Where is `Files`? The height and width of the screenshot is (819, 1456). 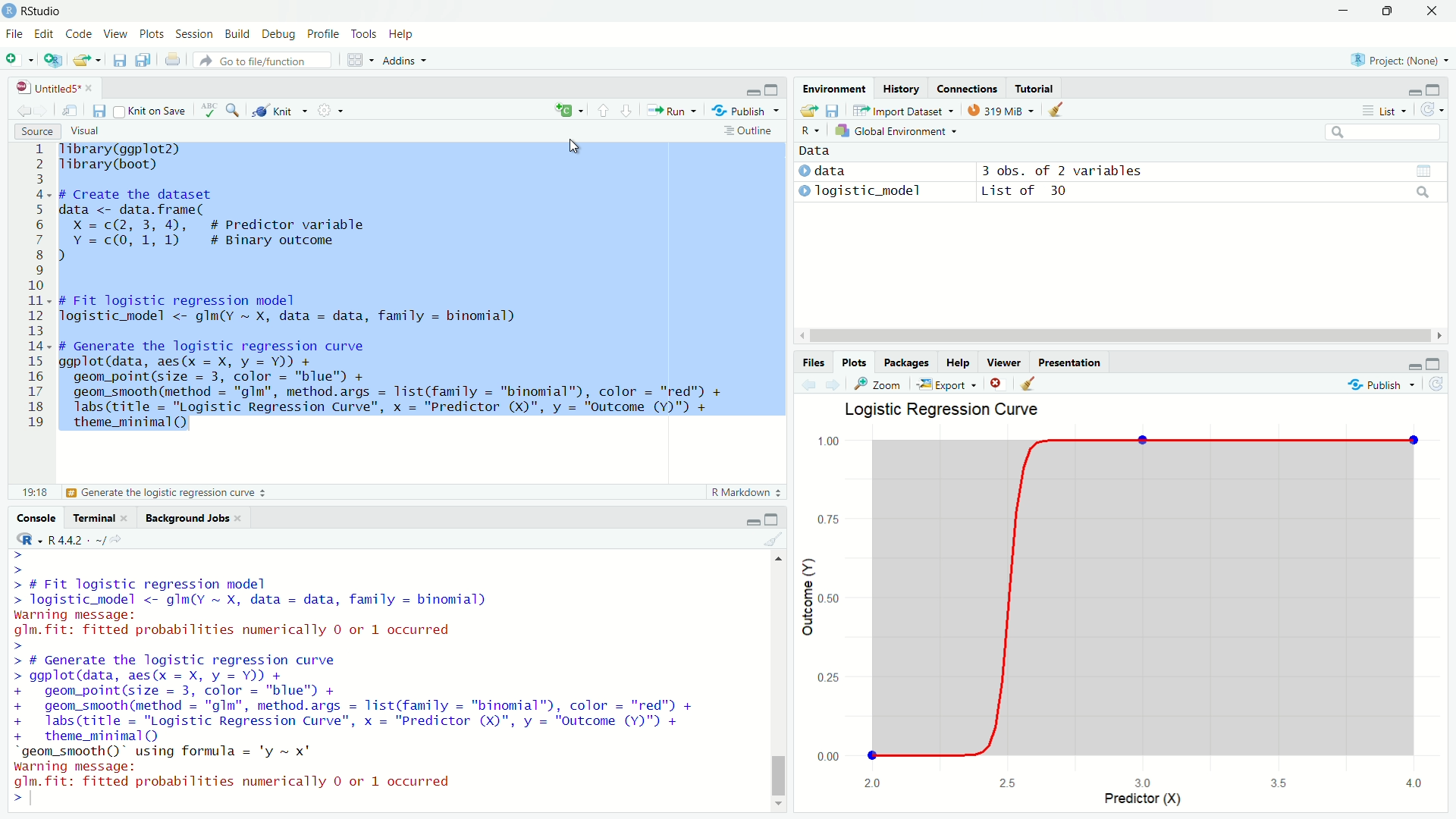 Files is located at coordinates (814, 363).